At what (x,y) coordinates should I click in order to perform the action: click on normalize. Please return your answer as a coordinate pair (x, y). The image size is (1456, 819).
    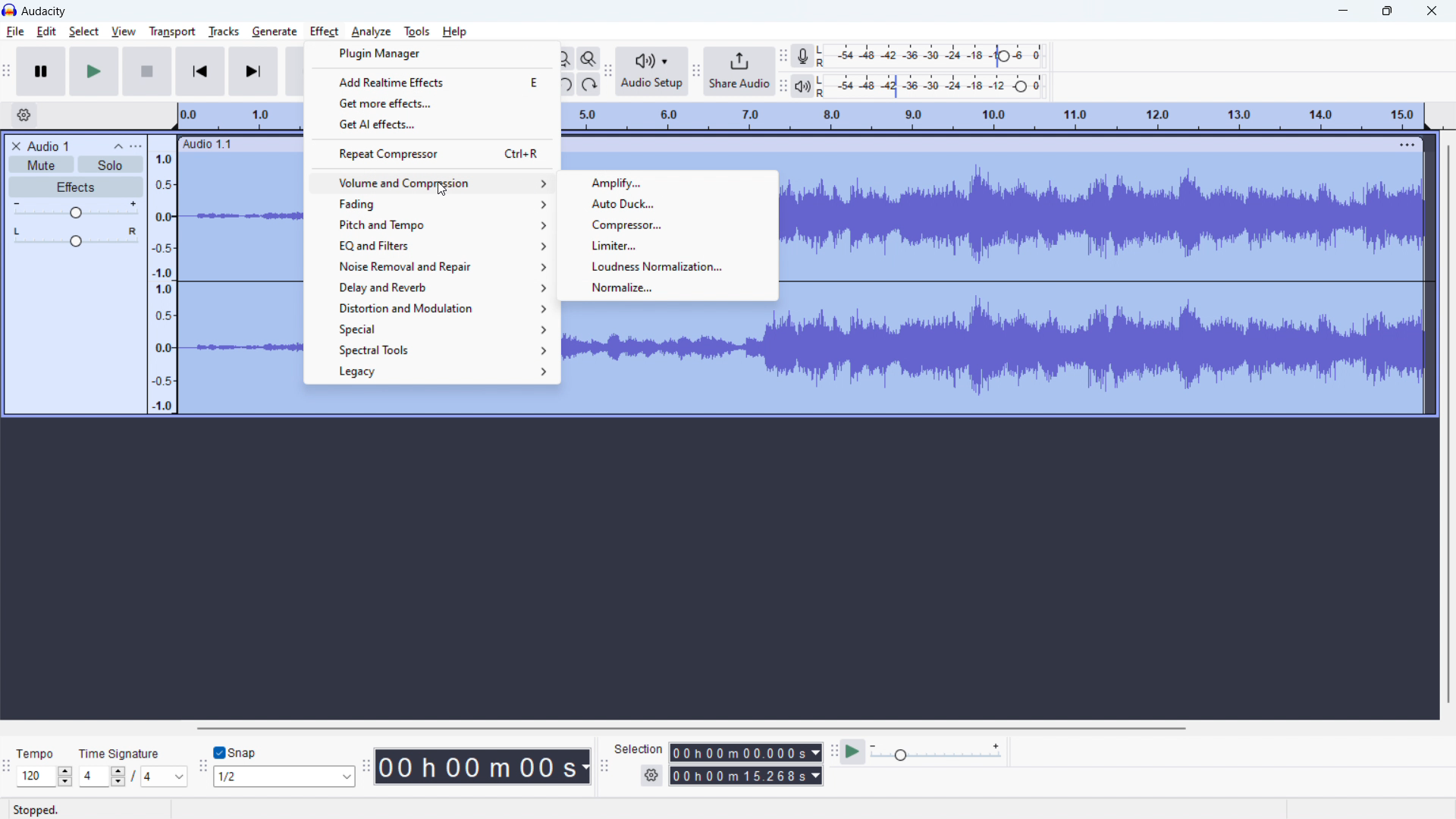
    Looking at the image, I should click on (667, 287).